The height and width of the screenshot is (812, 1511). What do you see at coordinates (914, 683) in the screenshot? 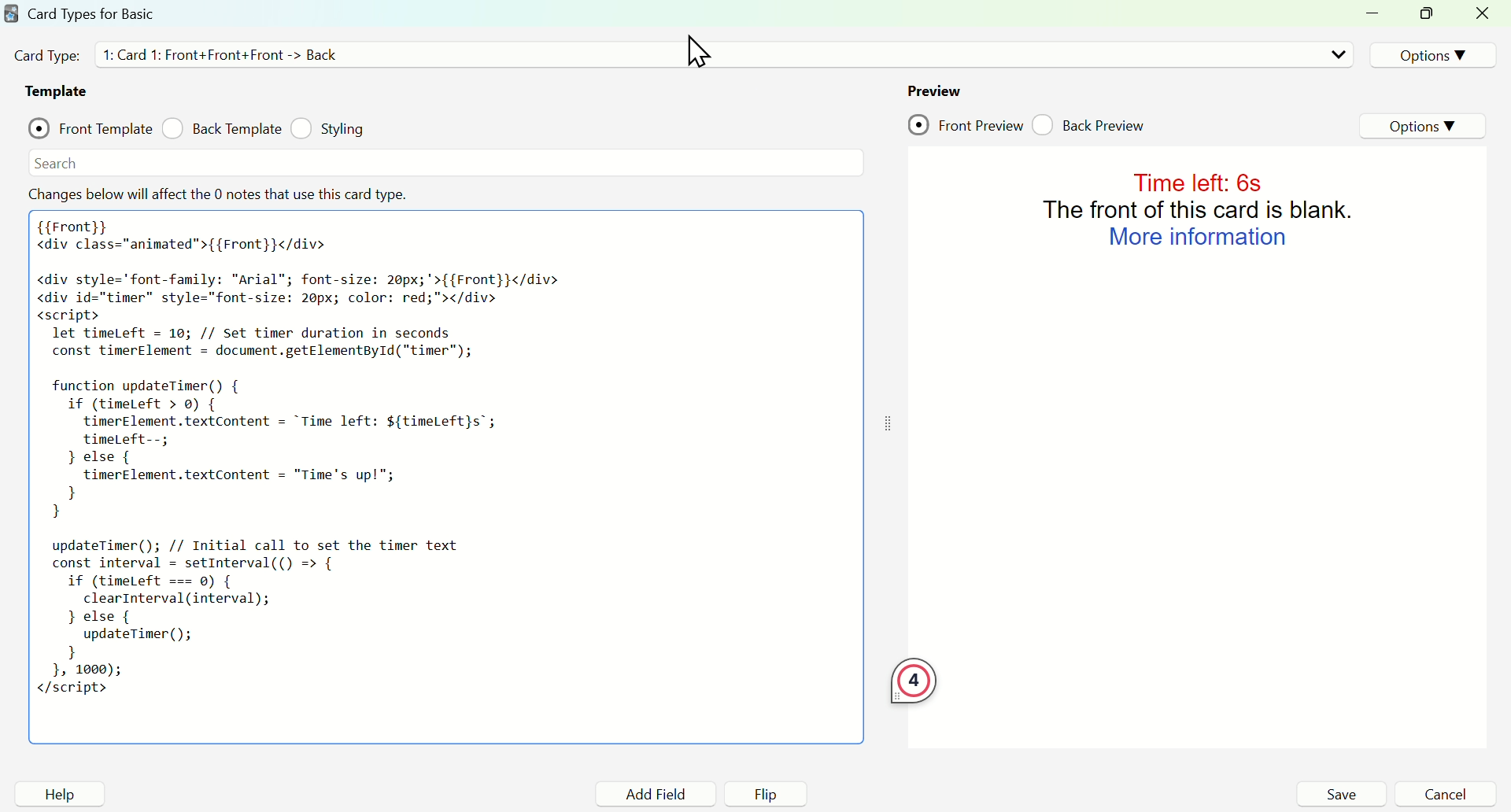
I see `4` at bounding box center [914, 683].